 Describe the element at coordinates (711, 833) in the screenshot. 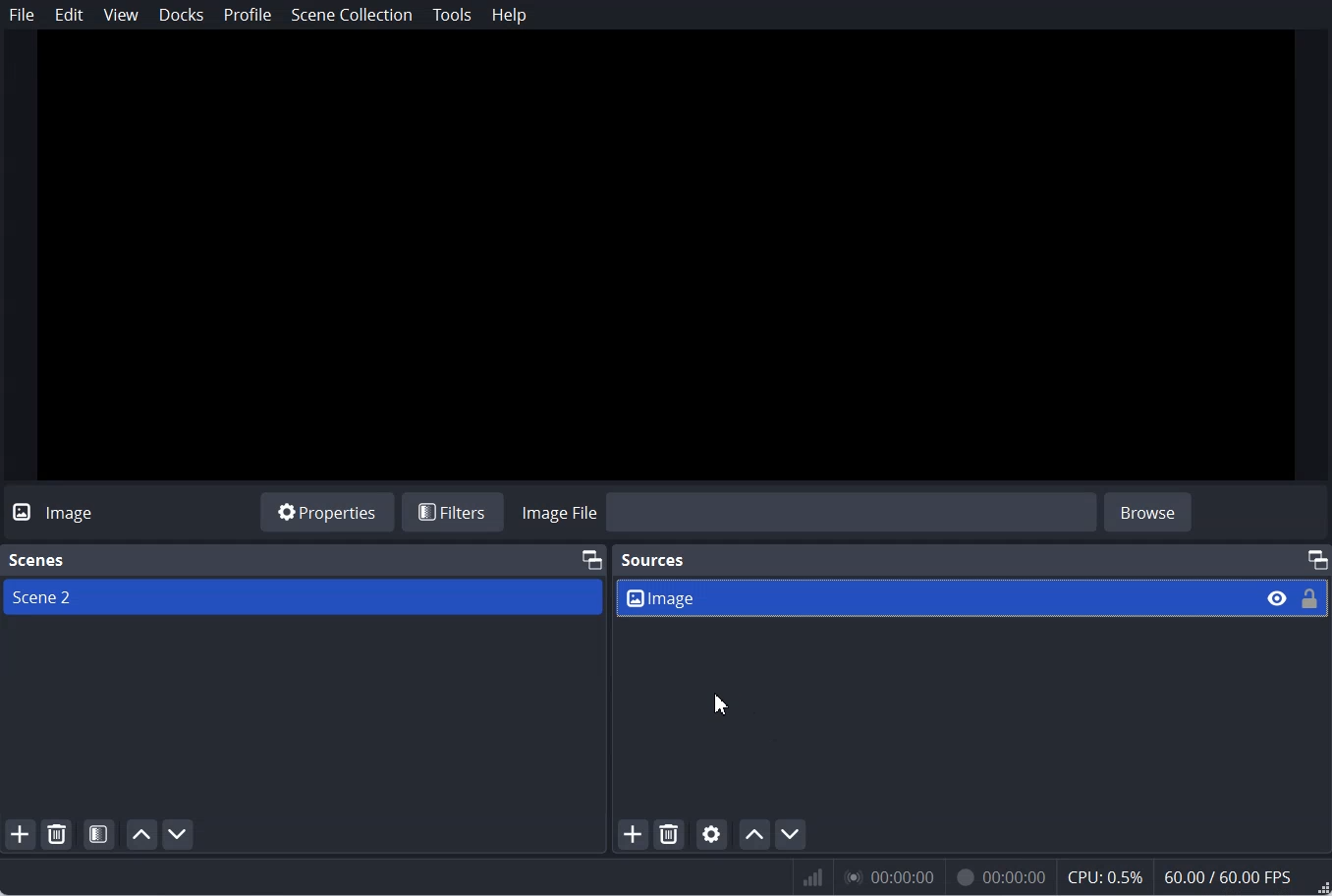

I see `Open source Properties` at that location.